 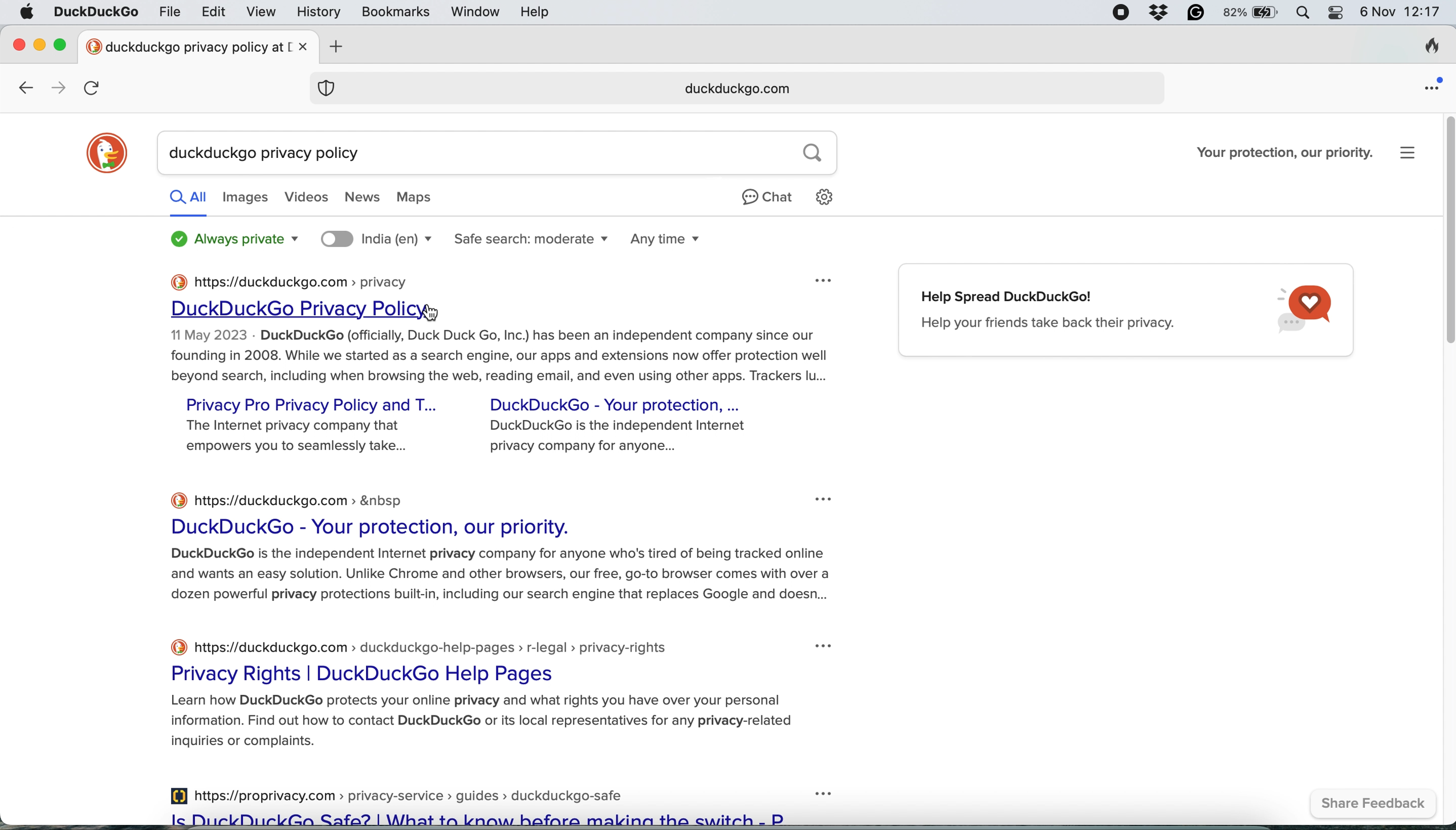 What do you see at coordinates (54, 87) in the screenshot?
I see `go forward` at bounding box center [54, 87].